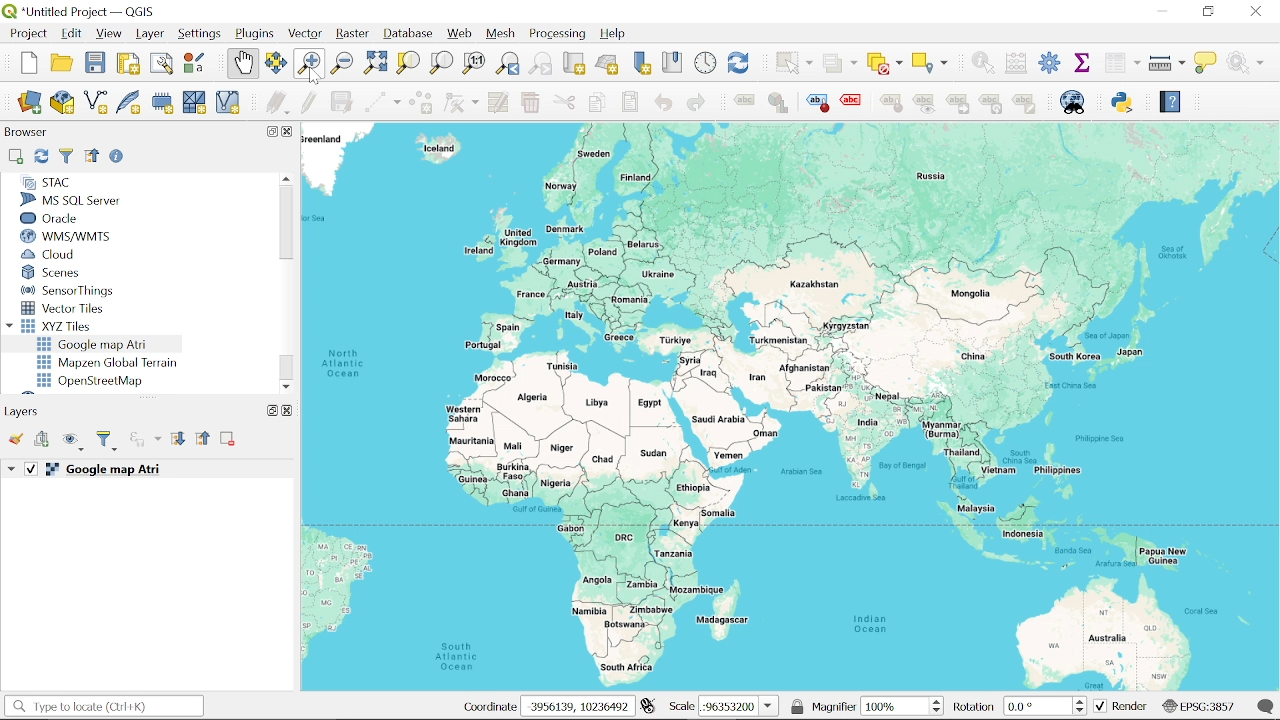 This screenshot has height=720, width=1280. Describe the element at coordinates (95, 63) in the screenshot. I see `Save project` at that location.